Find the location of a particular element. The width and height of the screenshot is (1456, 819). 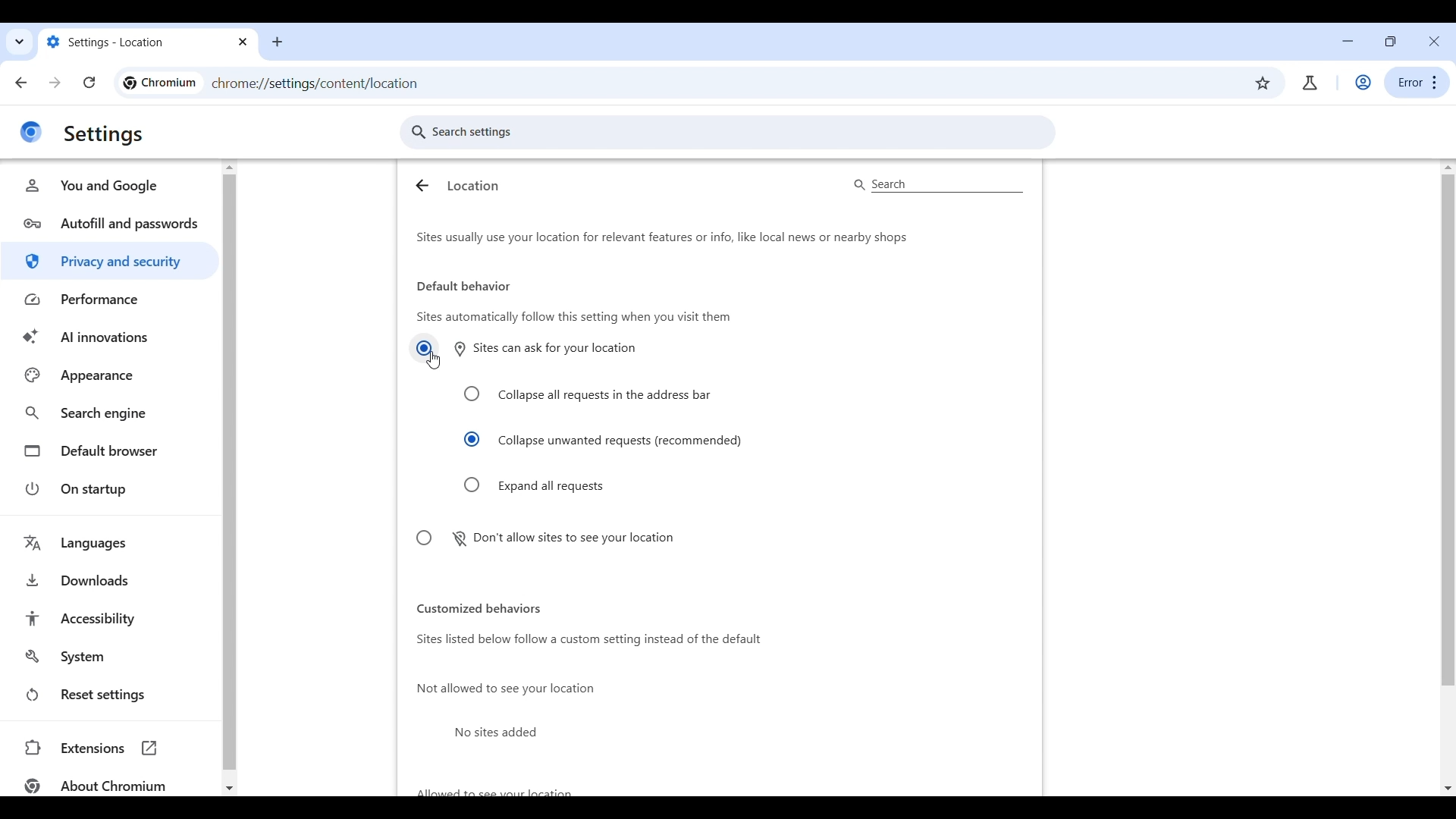

Search engine is located at coordinates (110, 412).